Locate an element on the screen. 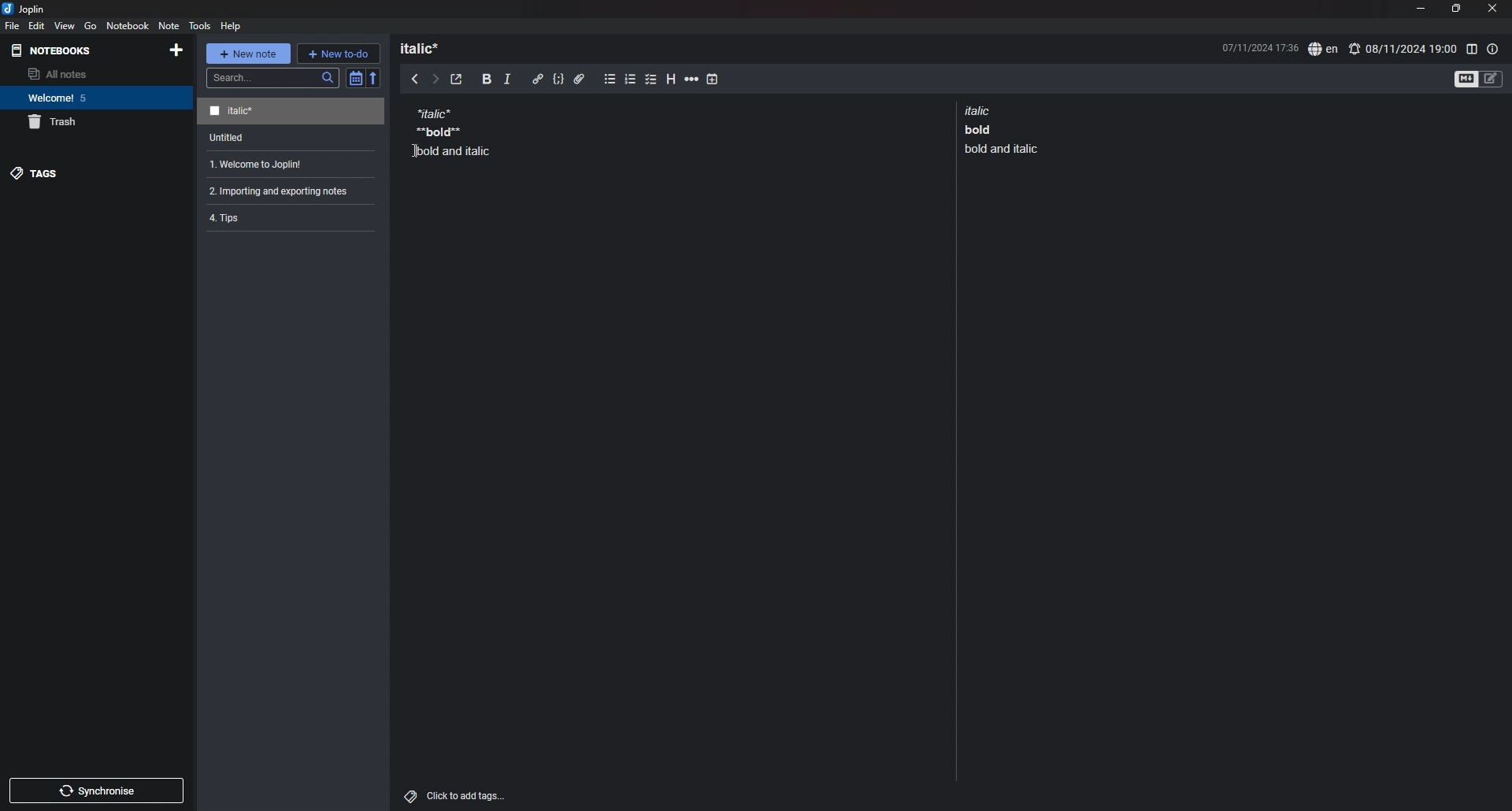 Image resolution: width=1512 pixels, height=811 pixels. add tags is located at coordinates (457, 796).